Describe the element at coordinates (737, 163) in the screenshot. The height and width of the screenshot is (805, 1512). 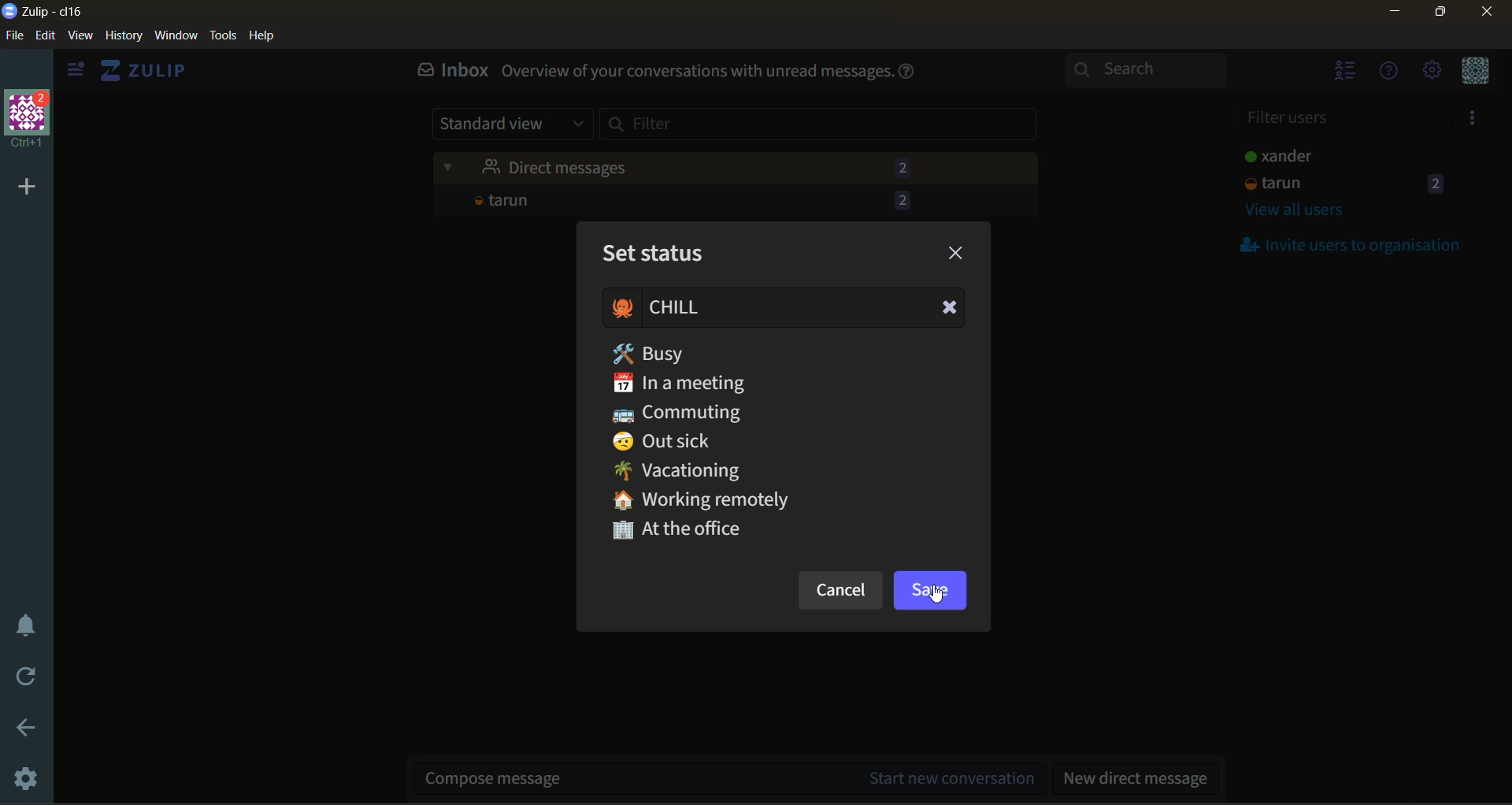
I see `unread messages` at that location.